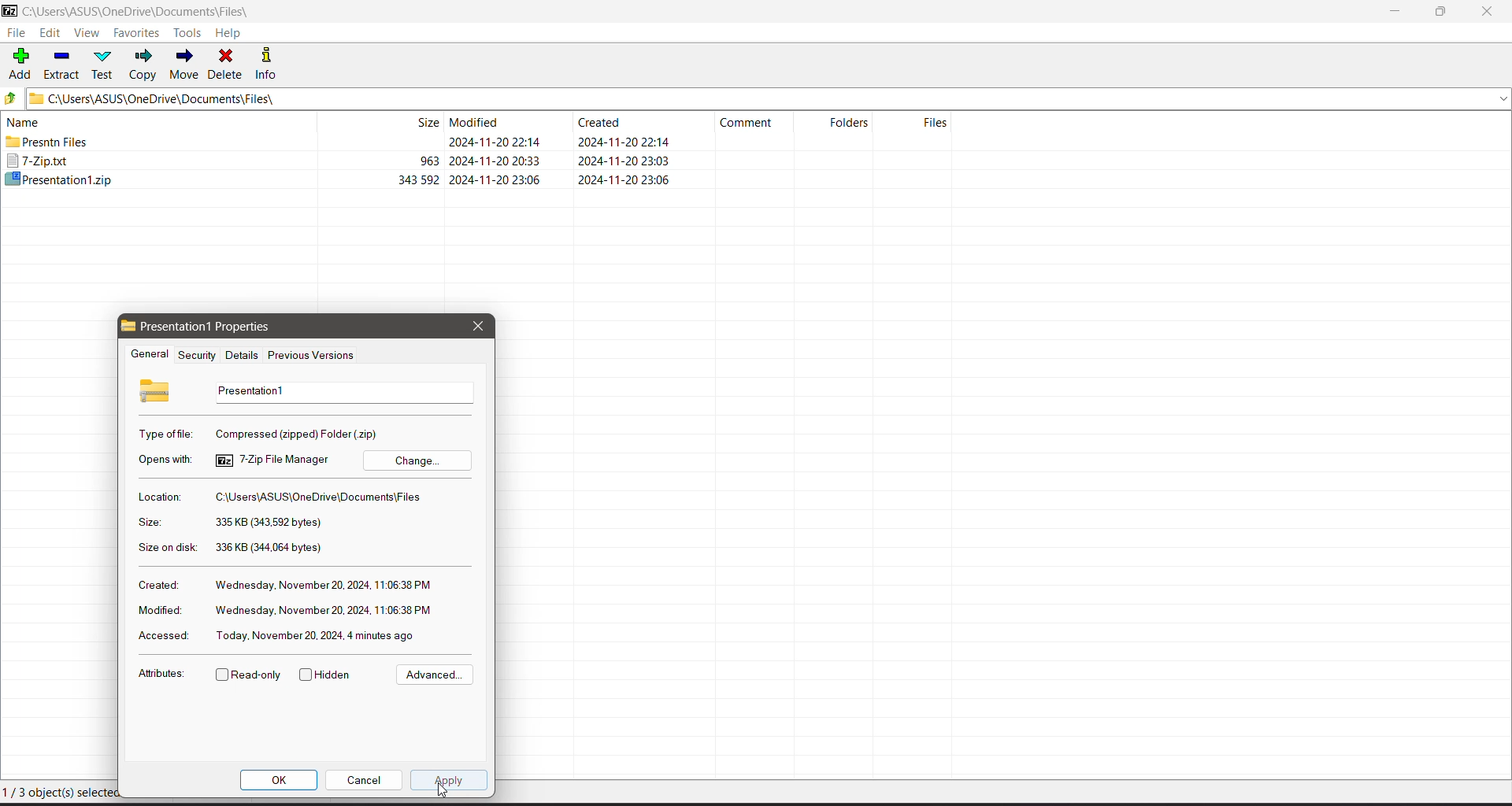  Describe the element at coordinates (195, 355) in the screenshot. I see `Security` at that location.